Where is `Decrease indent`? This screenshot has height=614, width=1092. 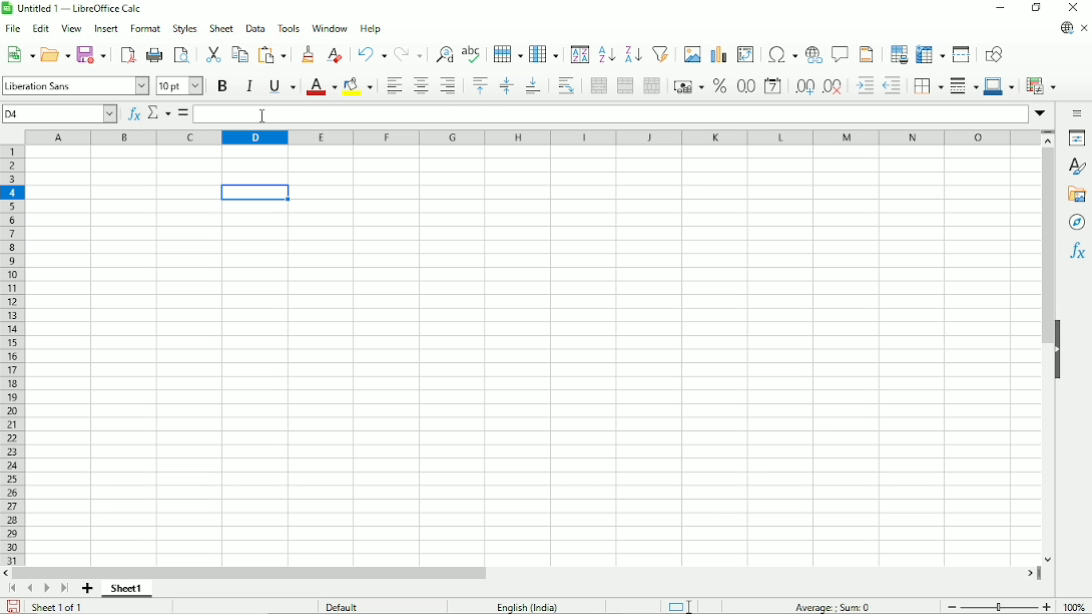
Decrease indent is located at coordinates (865, 86).